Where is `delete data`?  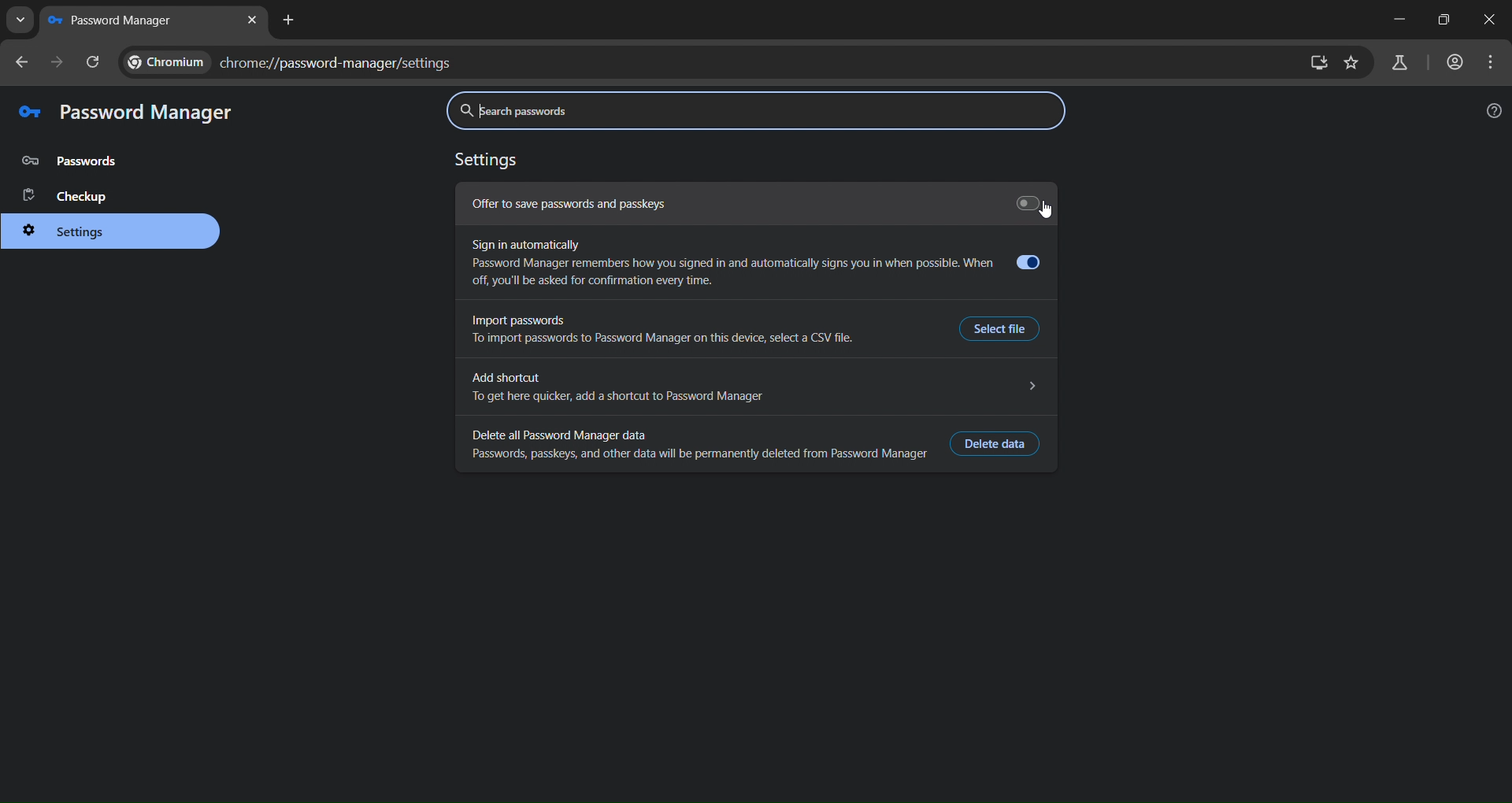 delete data is located at coordinates (994, 442).